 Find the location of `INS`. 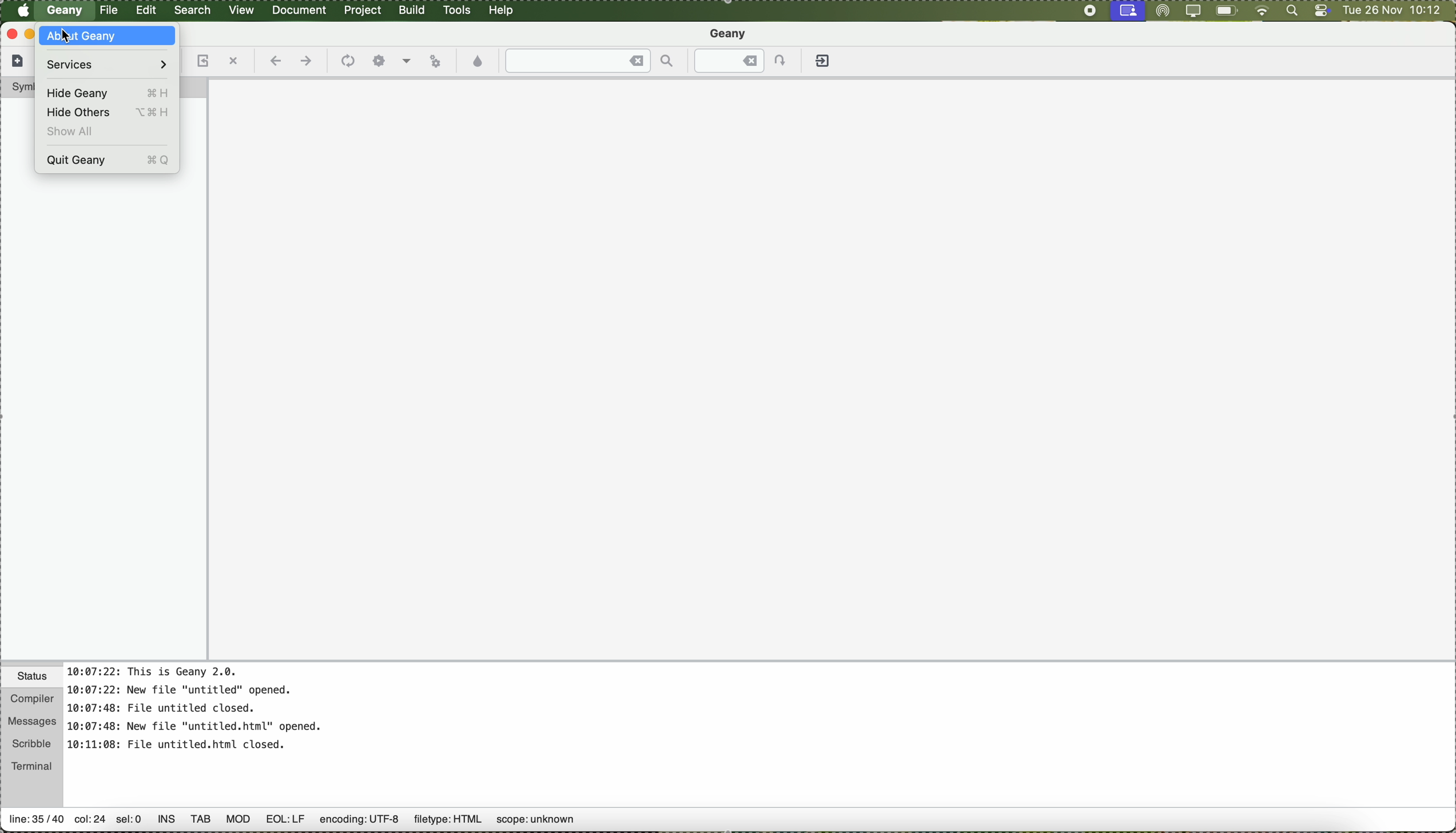

INS is located at coordinates (166, 821).